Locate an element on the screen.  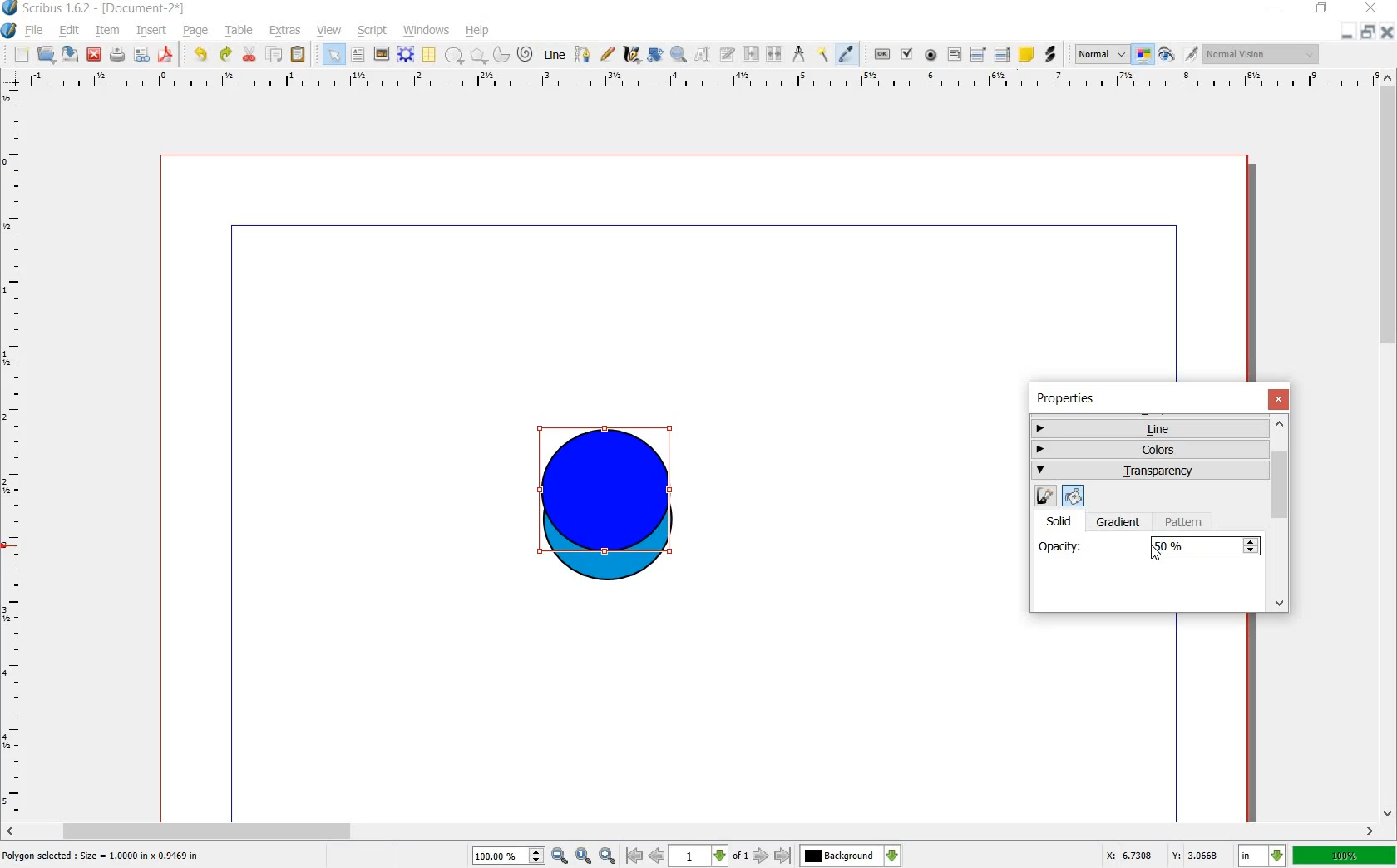
save as pdf is located at coordinates (165, 55).